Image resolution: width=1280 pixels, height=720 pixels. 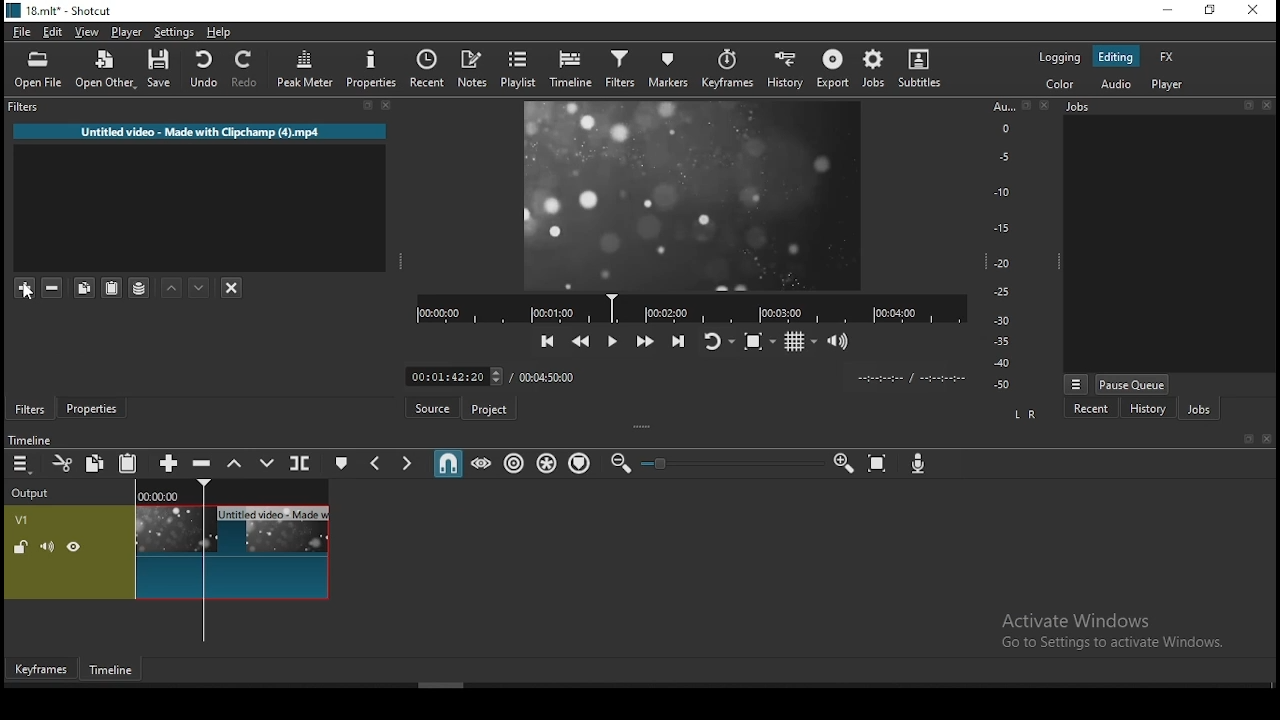 I want to click on keyframes, so click(x=42, y=669).